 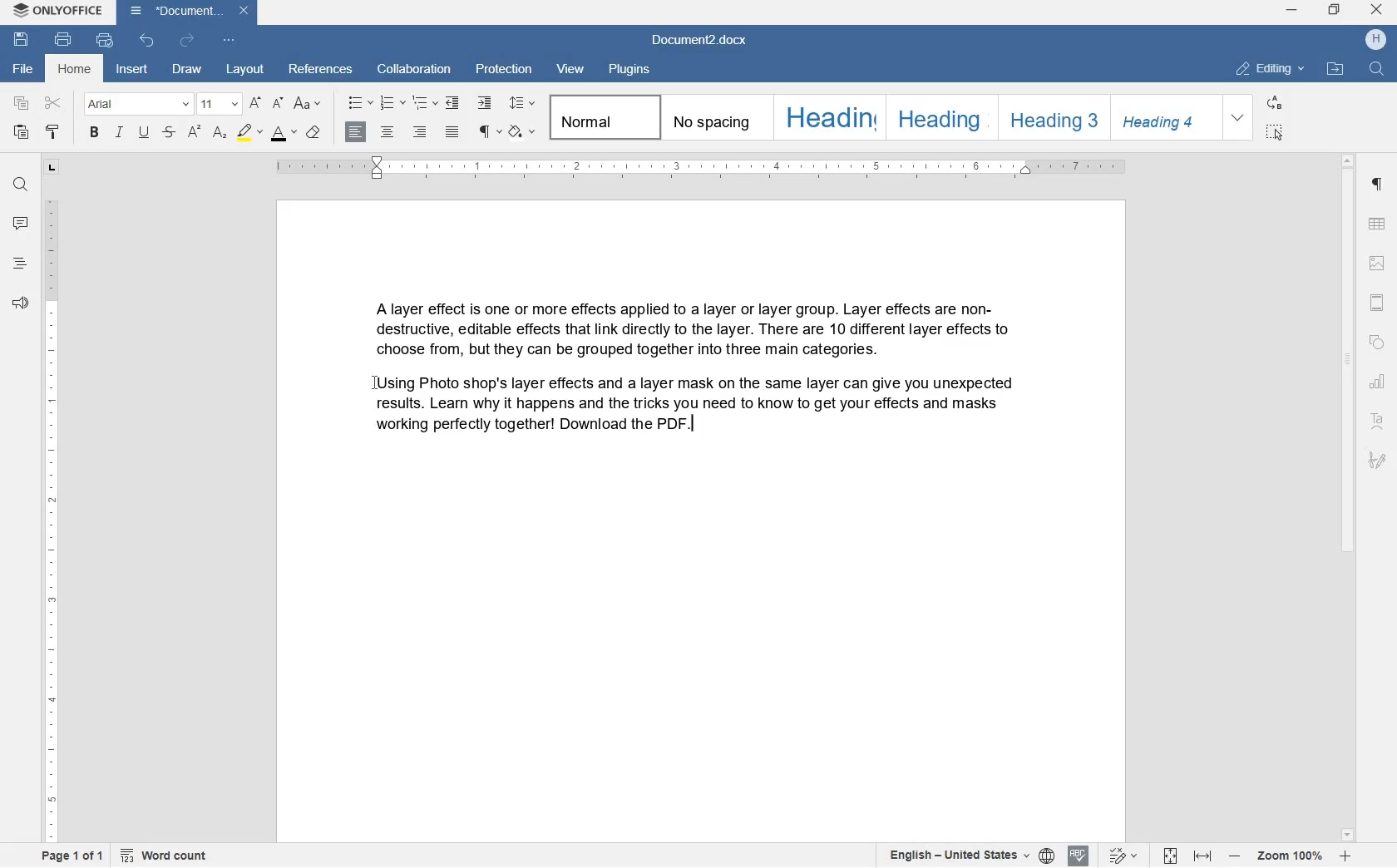 What do you see at coordinates (1290, 856) in the screenshot?
I see `ZOOM IN OR ZOOM OUT` at bounding box center [1290, 856].